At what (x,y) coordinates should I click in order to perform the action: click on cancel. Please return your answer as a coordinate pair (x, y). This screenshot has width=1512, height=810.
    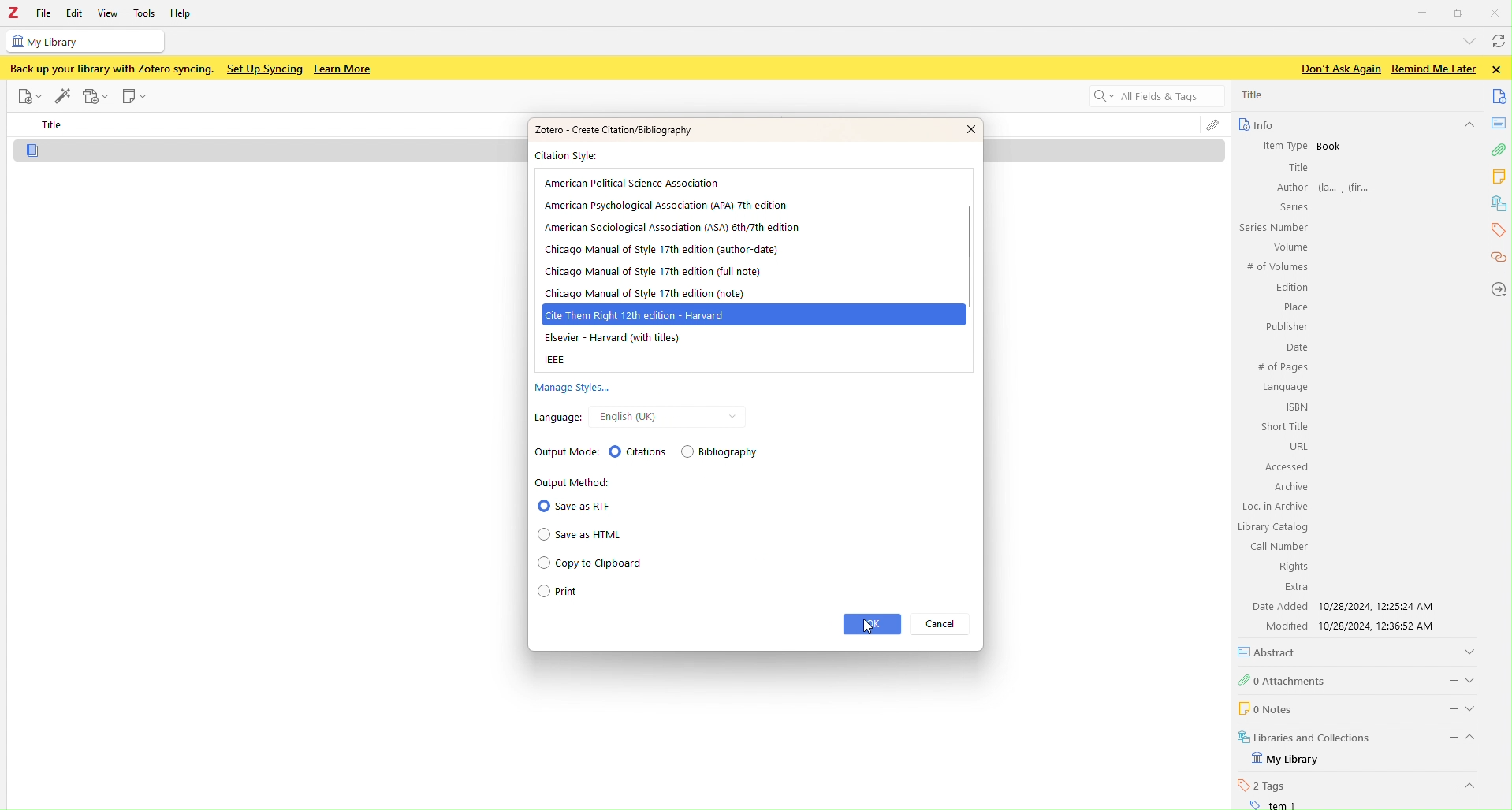
    Looking at the image, I should click on (944, 624).